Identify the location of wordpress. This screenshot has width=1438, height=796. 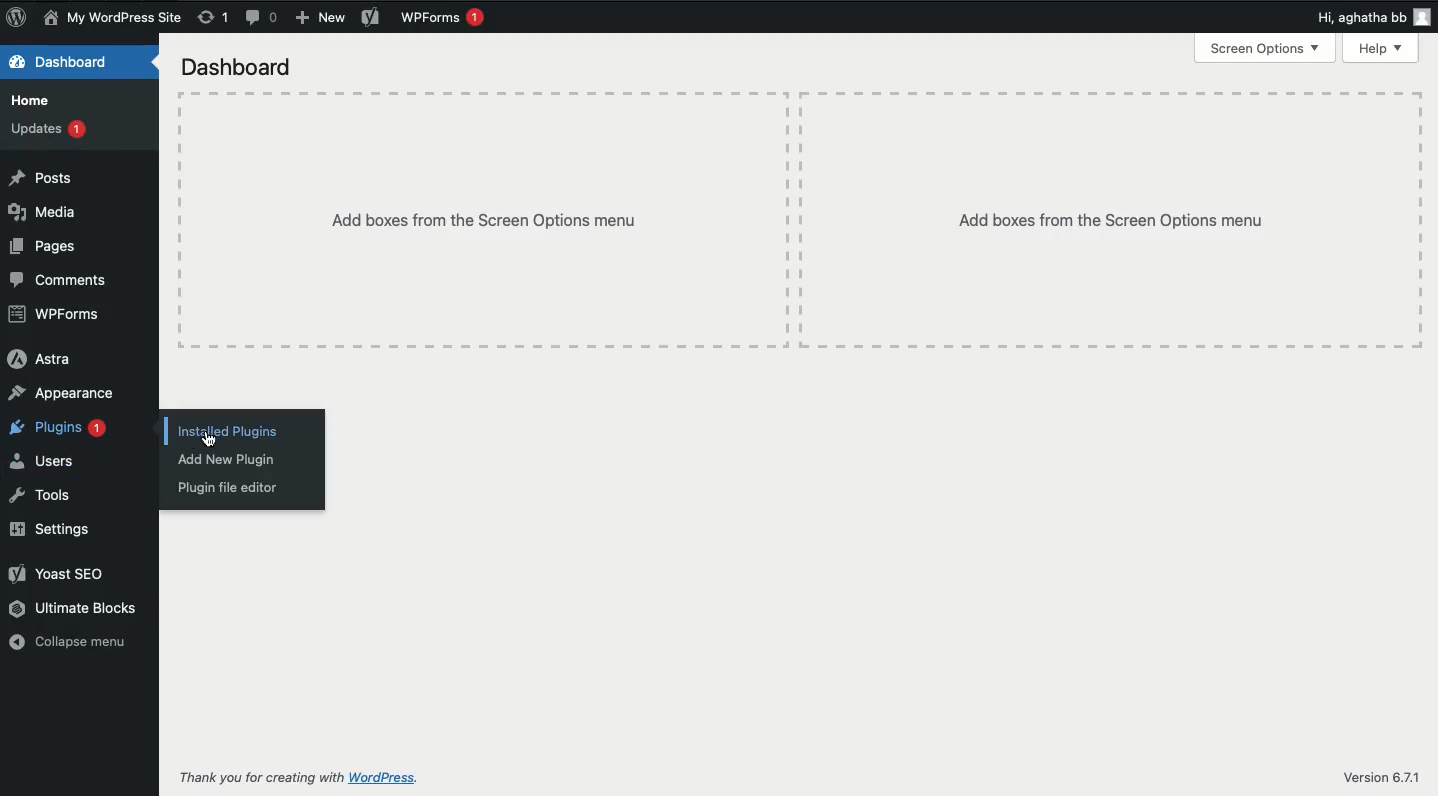
(385, 778).